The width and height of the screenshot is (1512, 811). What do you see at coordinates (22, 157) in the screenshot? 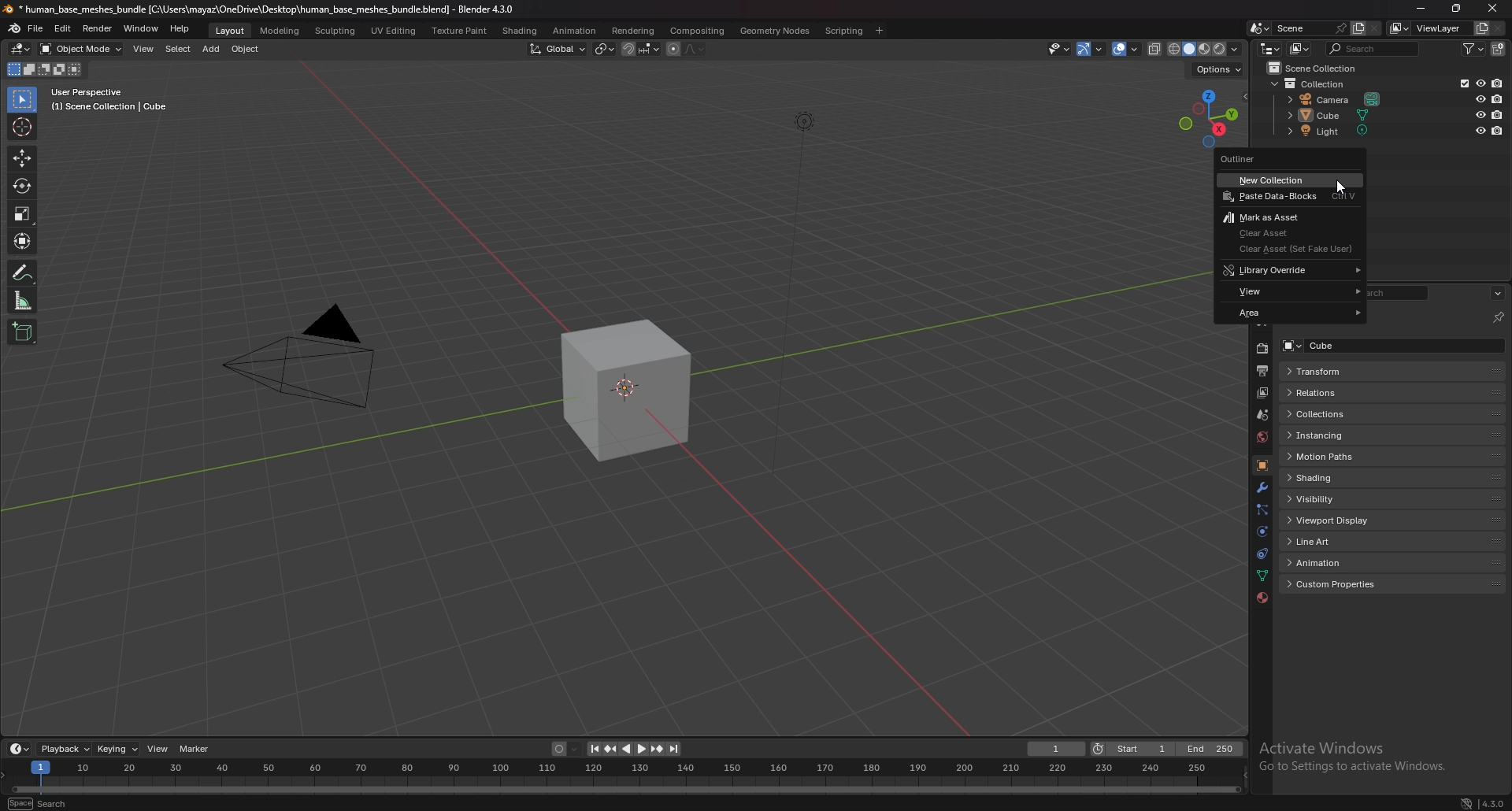
I see `move` at bounding box center [22, 157].